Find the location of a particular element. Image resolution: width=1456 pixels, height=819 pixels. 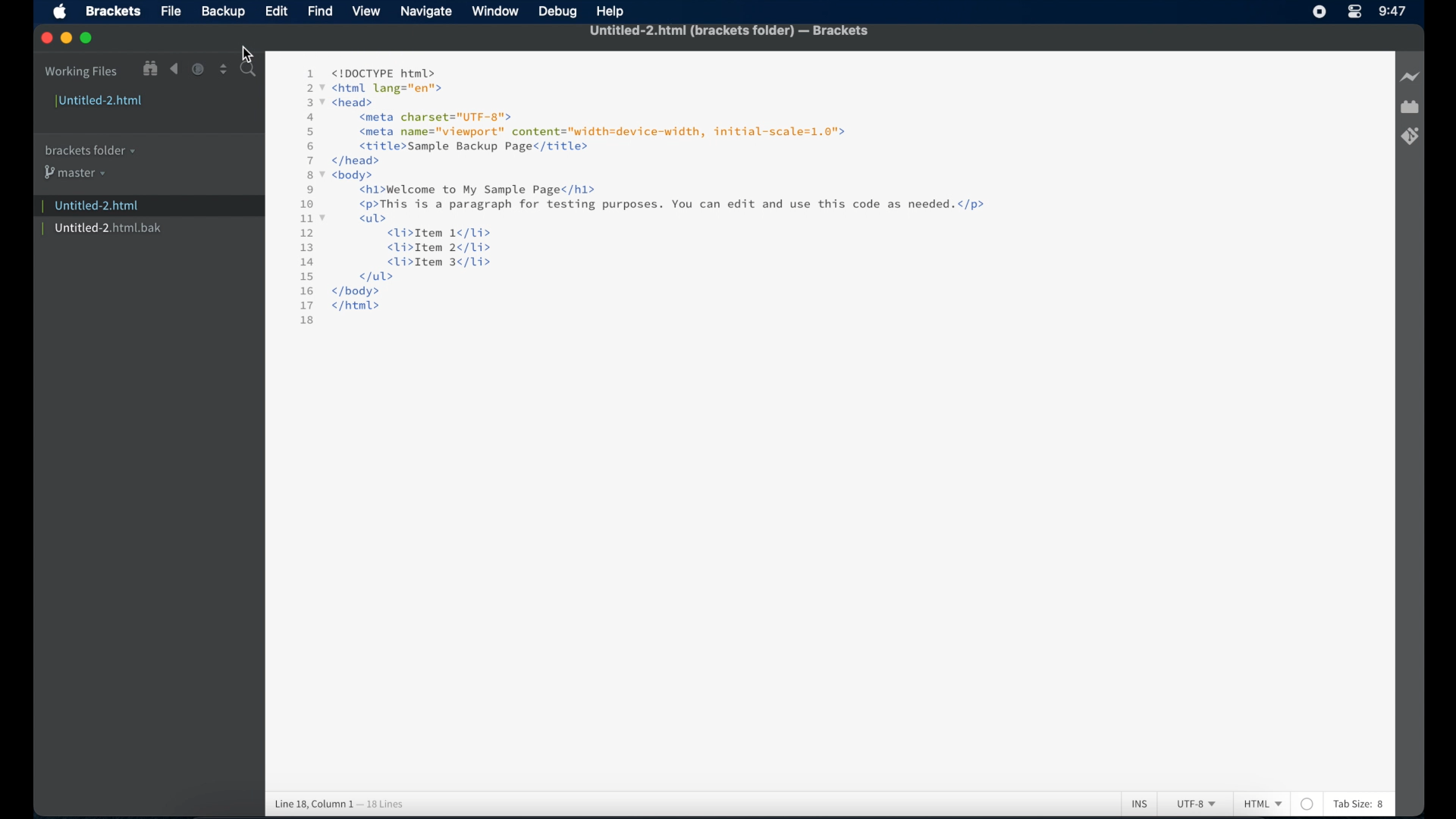

master is located at coordinates (74, 172).